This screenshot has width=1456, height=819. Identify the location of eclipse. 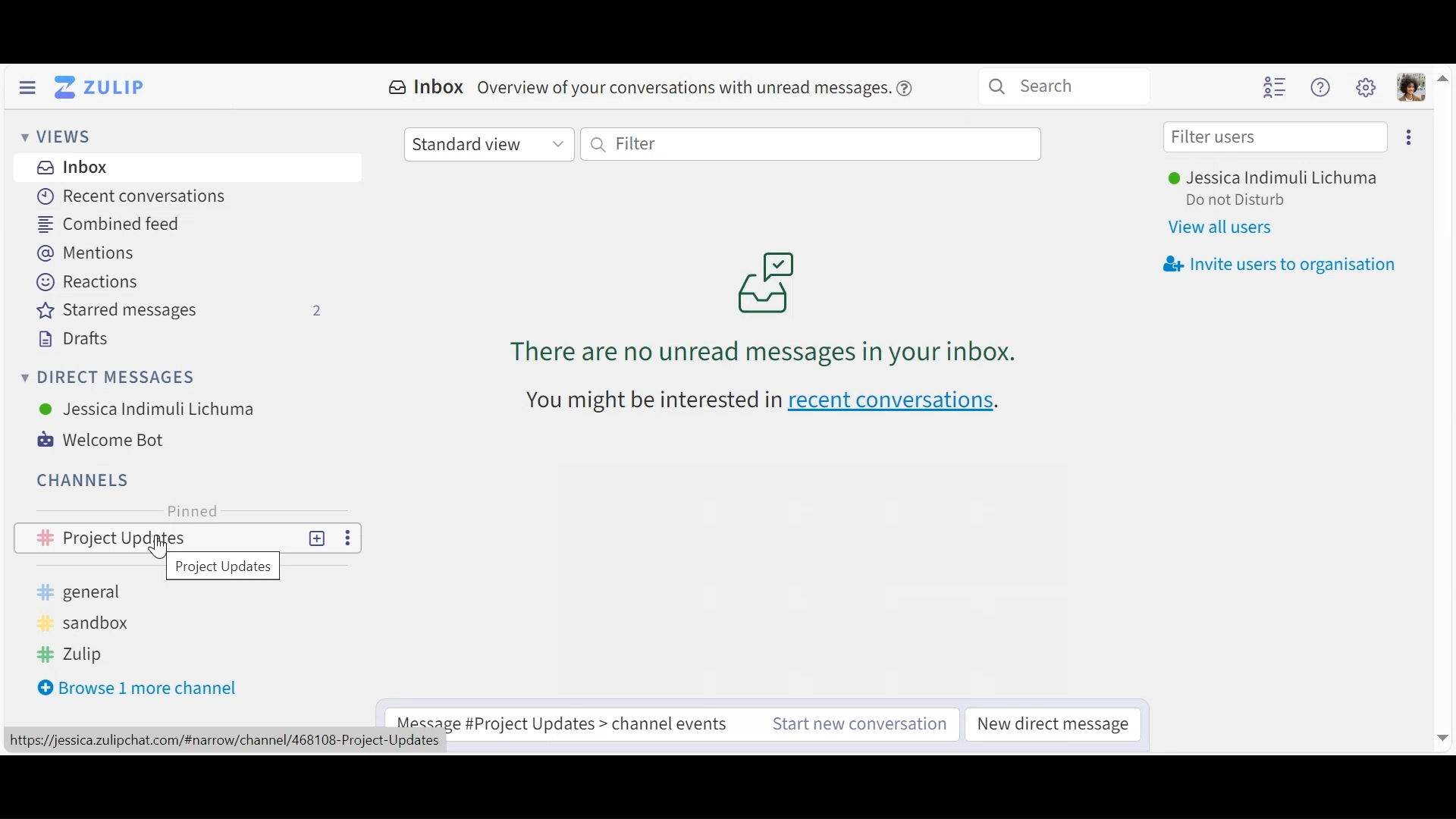
(1410, 137).